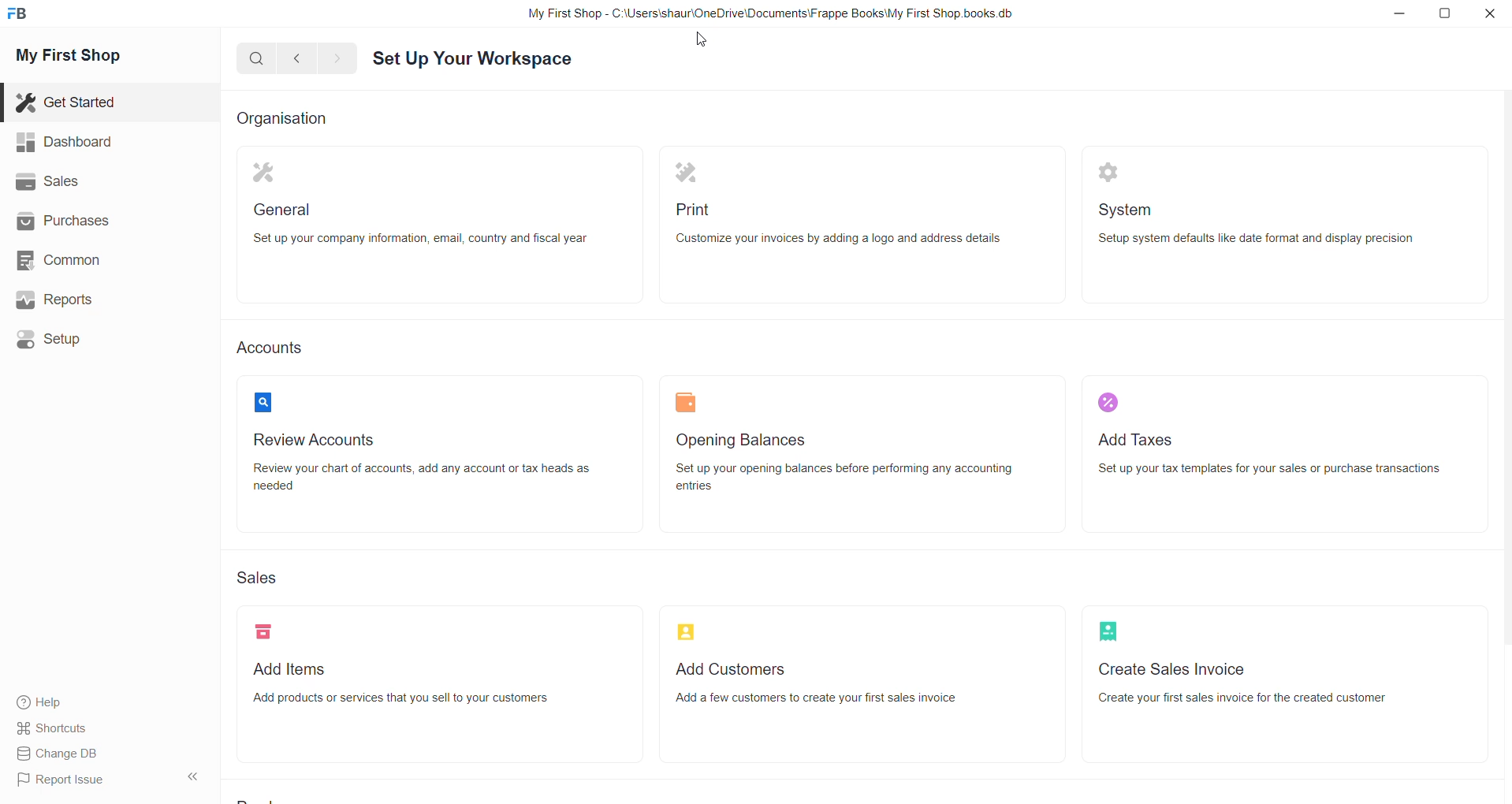  Describe the element at coordinates (57, 260) in the screenshot. I see `Common` at that location.